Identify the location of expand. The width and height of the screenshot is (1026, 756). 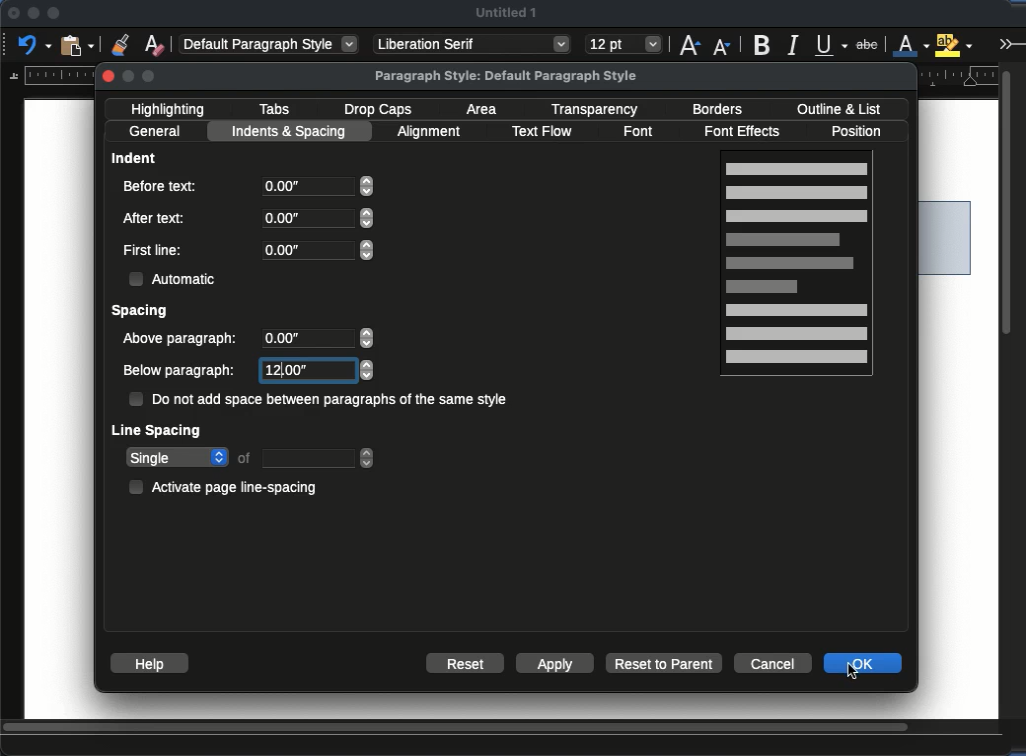
(1009, 43).